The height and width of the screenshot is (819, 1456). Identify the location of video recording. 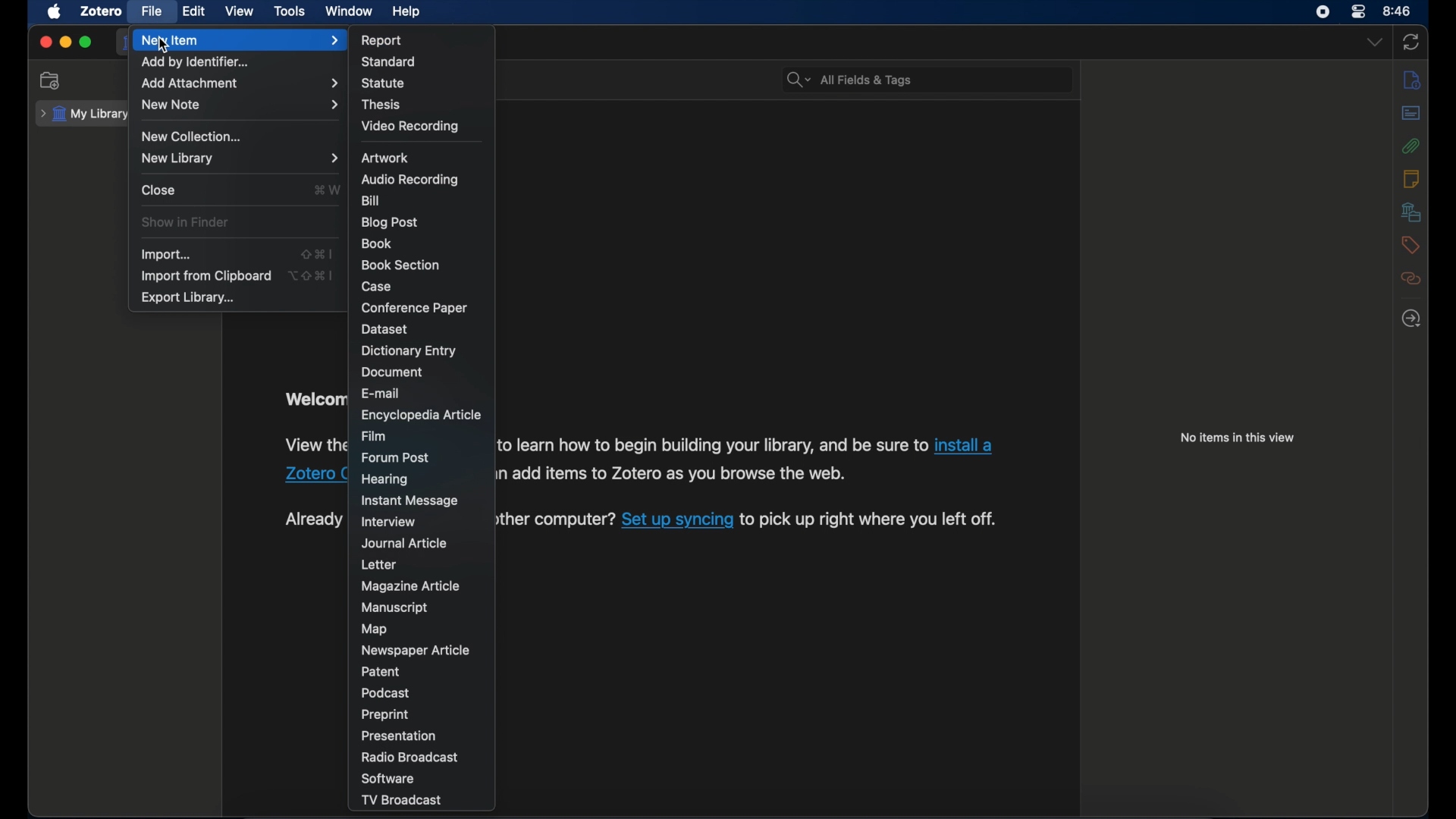
(409, 126).